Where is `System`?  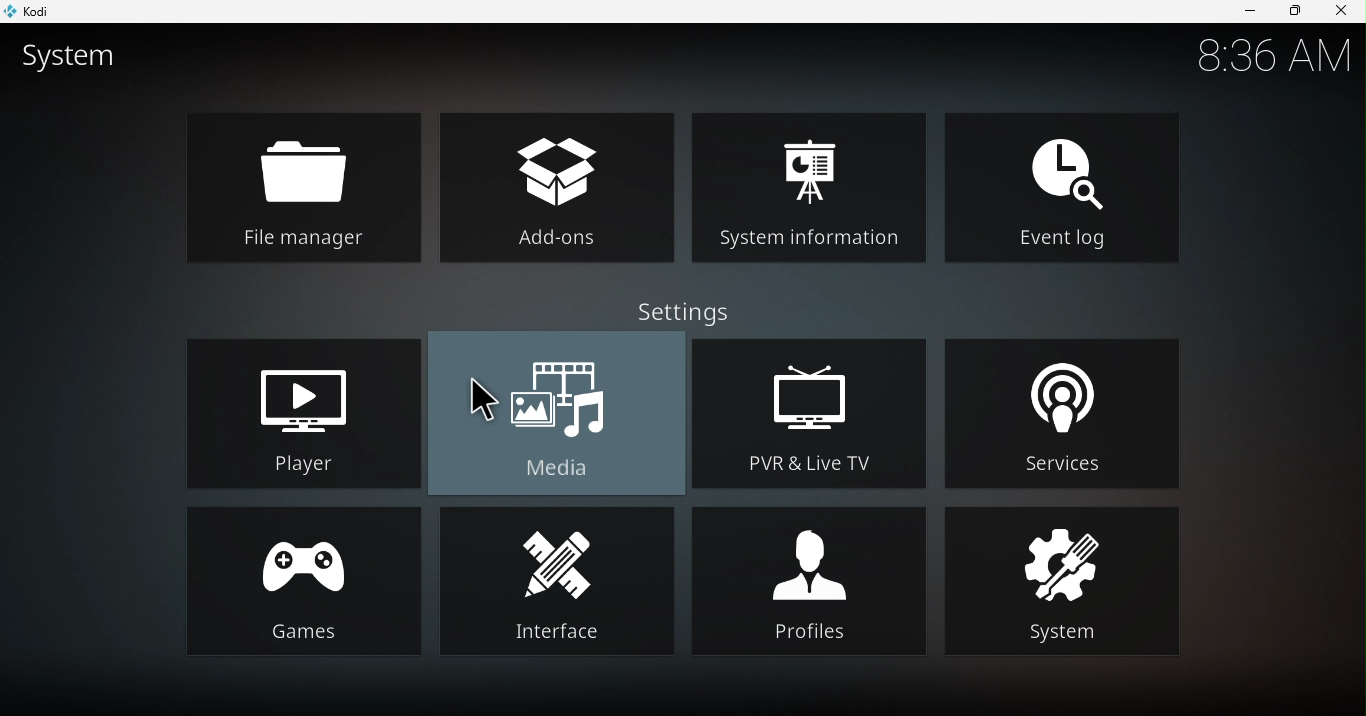 System is located at coordinates (1065, 583).